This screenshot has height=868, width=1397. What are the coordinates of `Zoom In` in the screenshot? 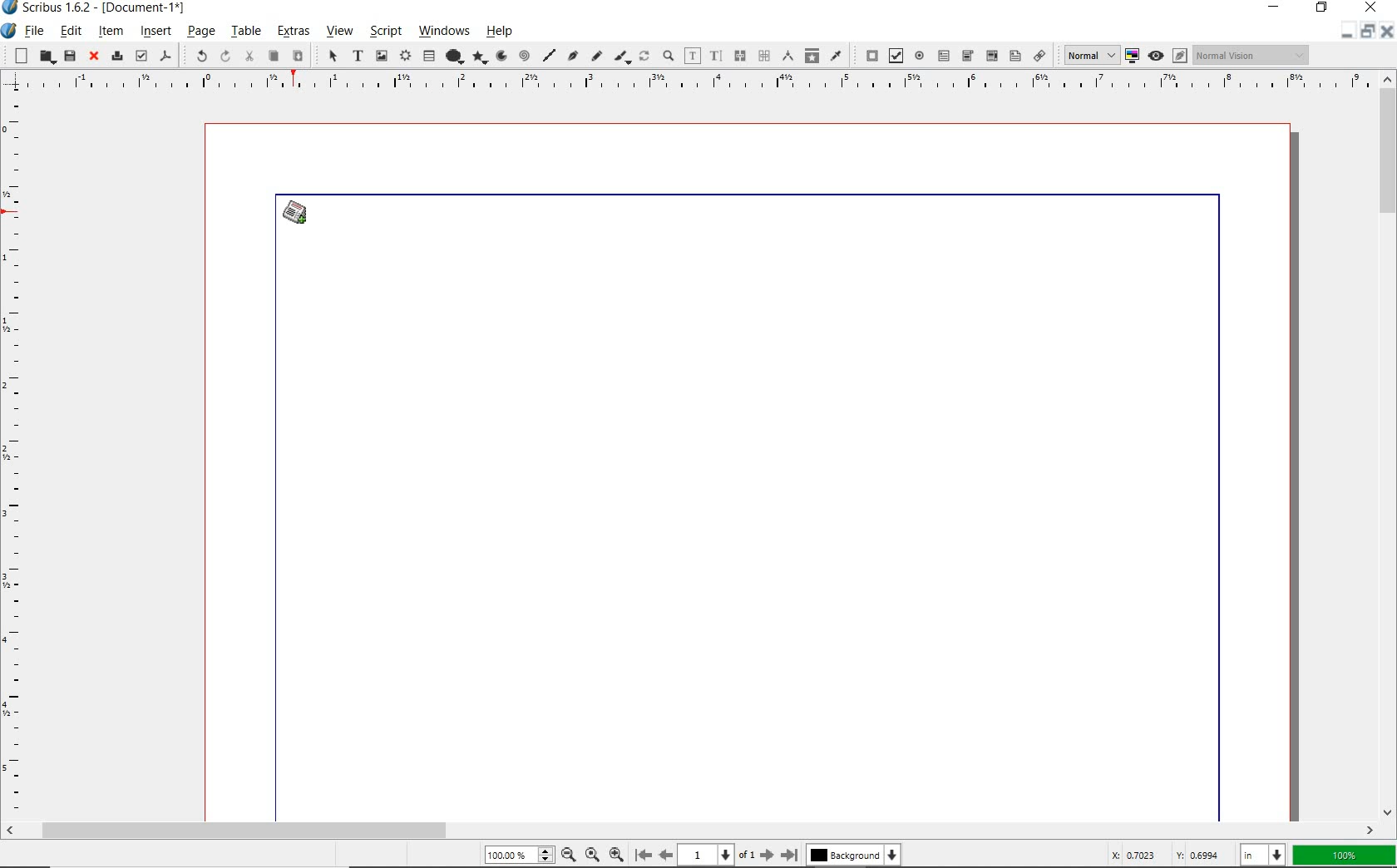 It's located at (616, 856).